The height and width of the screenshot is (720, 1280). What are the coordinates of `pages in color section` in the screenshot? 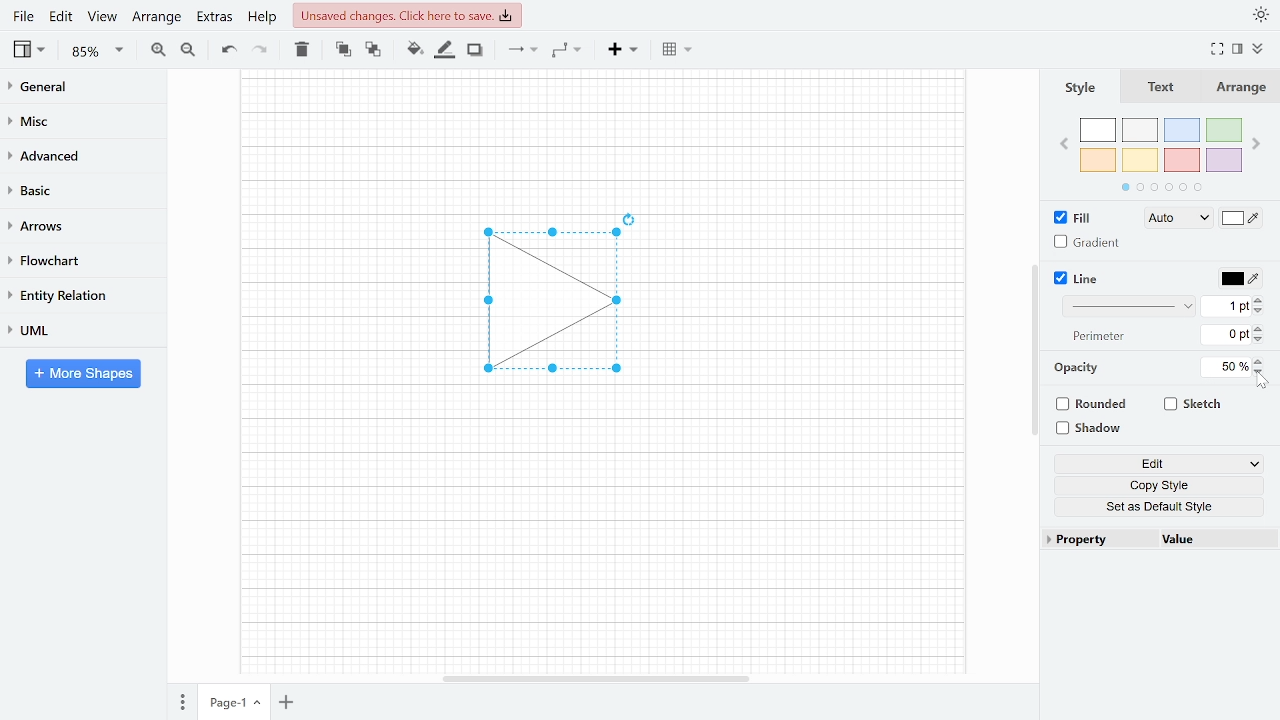 It's located at (1159, 185).